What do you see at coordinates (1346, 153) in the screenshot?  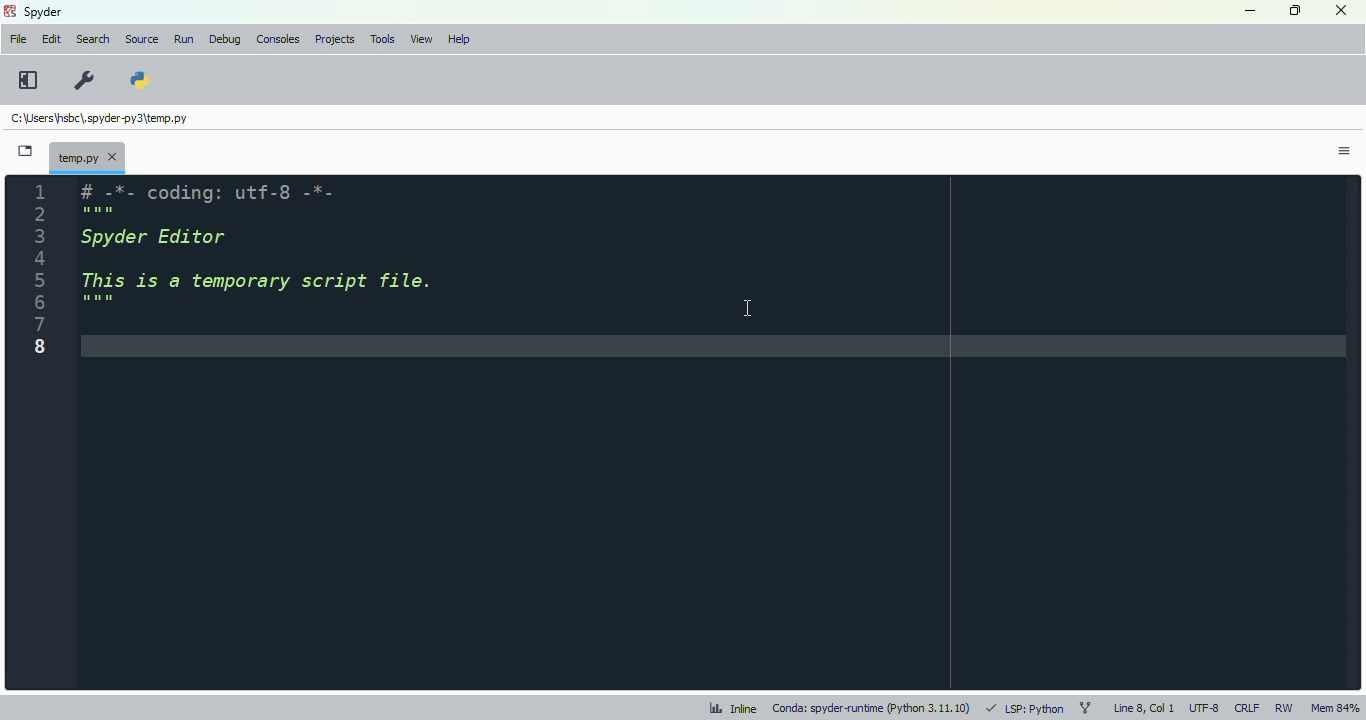 I see `options` at bounding box center [1346, 153].